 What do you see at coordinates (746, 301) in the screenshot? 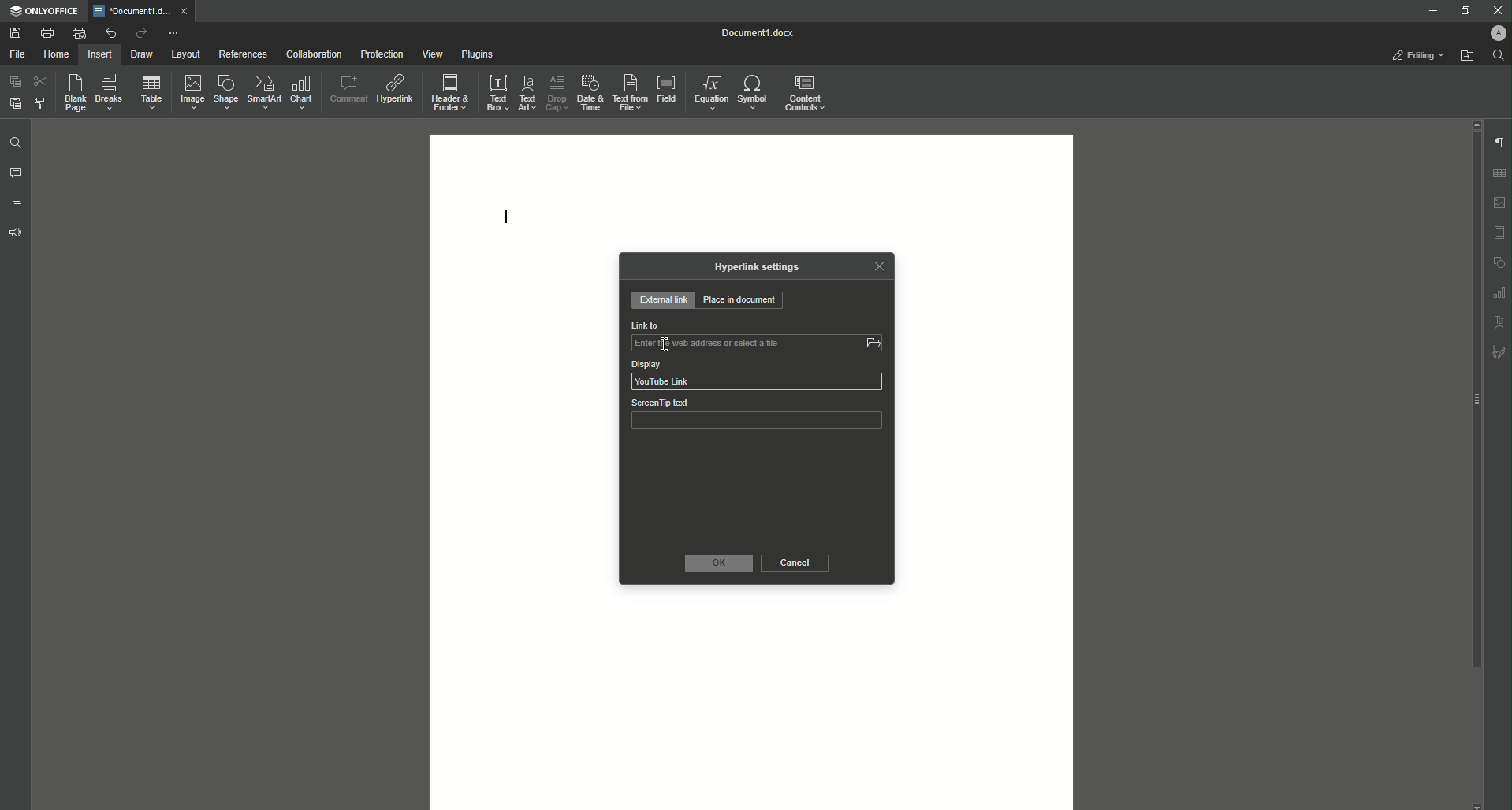
I see `Place in Document` at bounding box center [746, 301].